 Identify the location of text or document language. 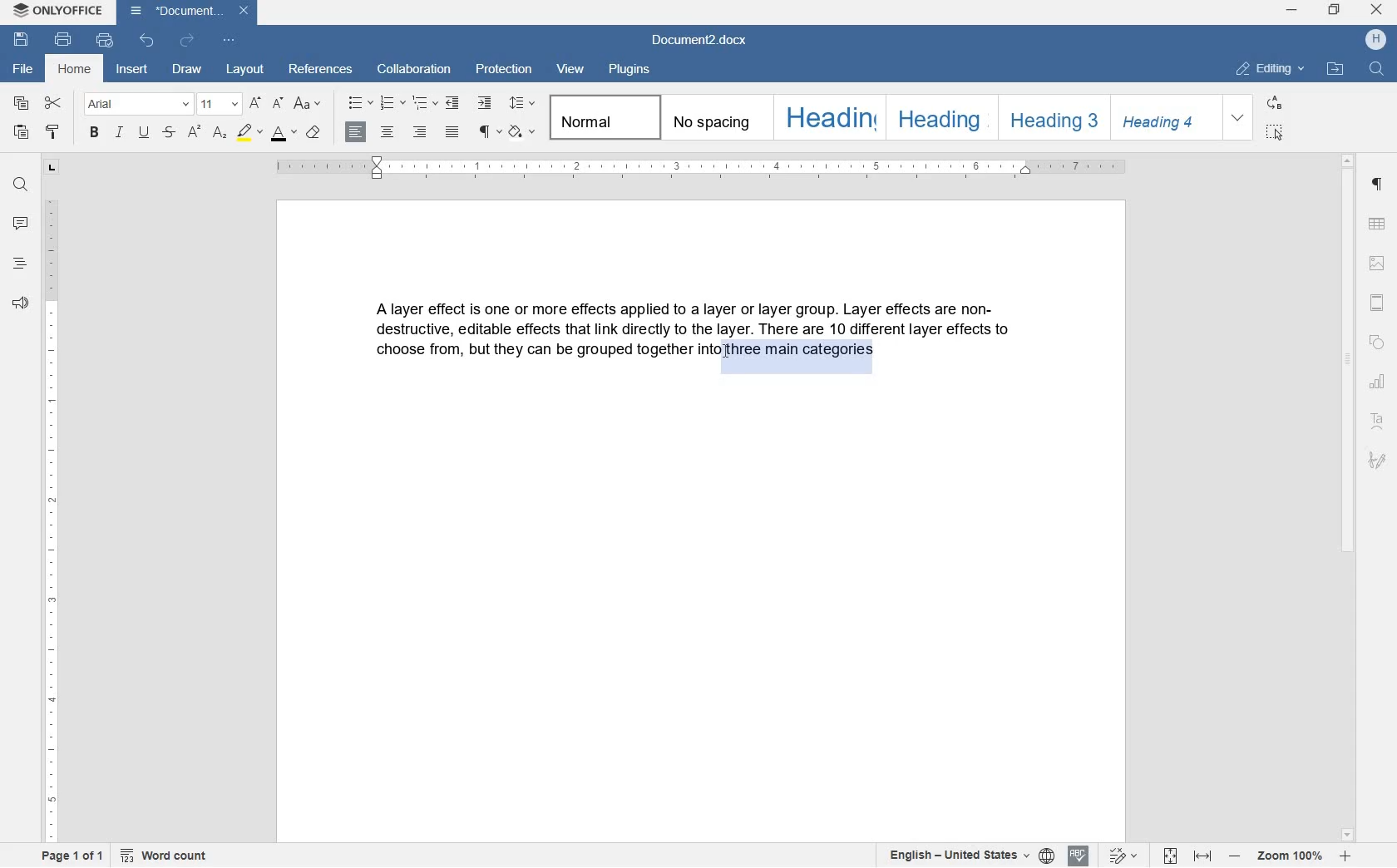
(961, 856).